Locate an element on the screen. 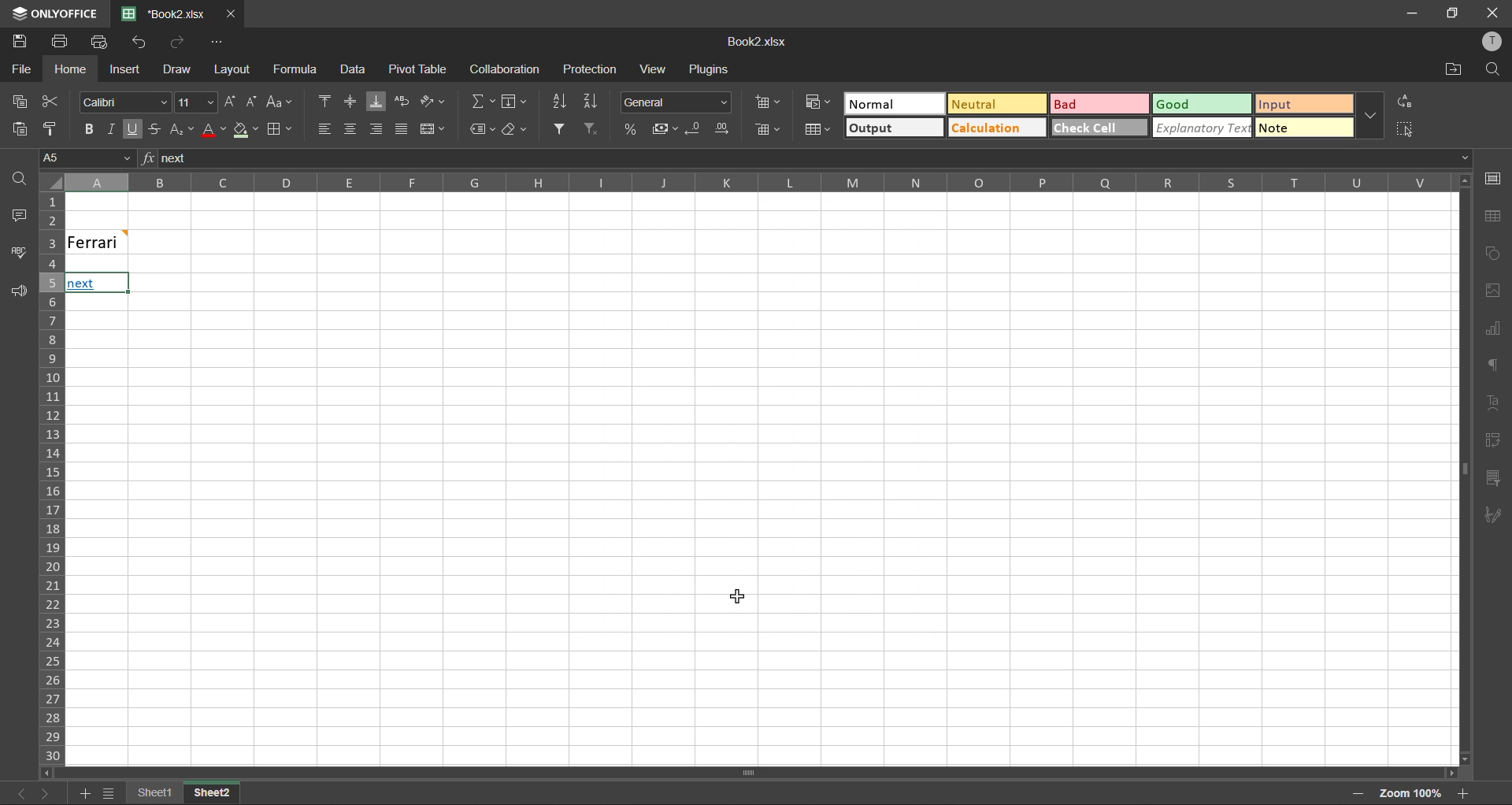 The height and width of the screenshot is (805, 1512). borders is located at coordinates (279, 130).